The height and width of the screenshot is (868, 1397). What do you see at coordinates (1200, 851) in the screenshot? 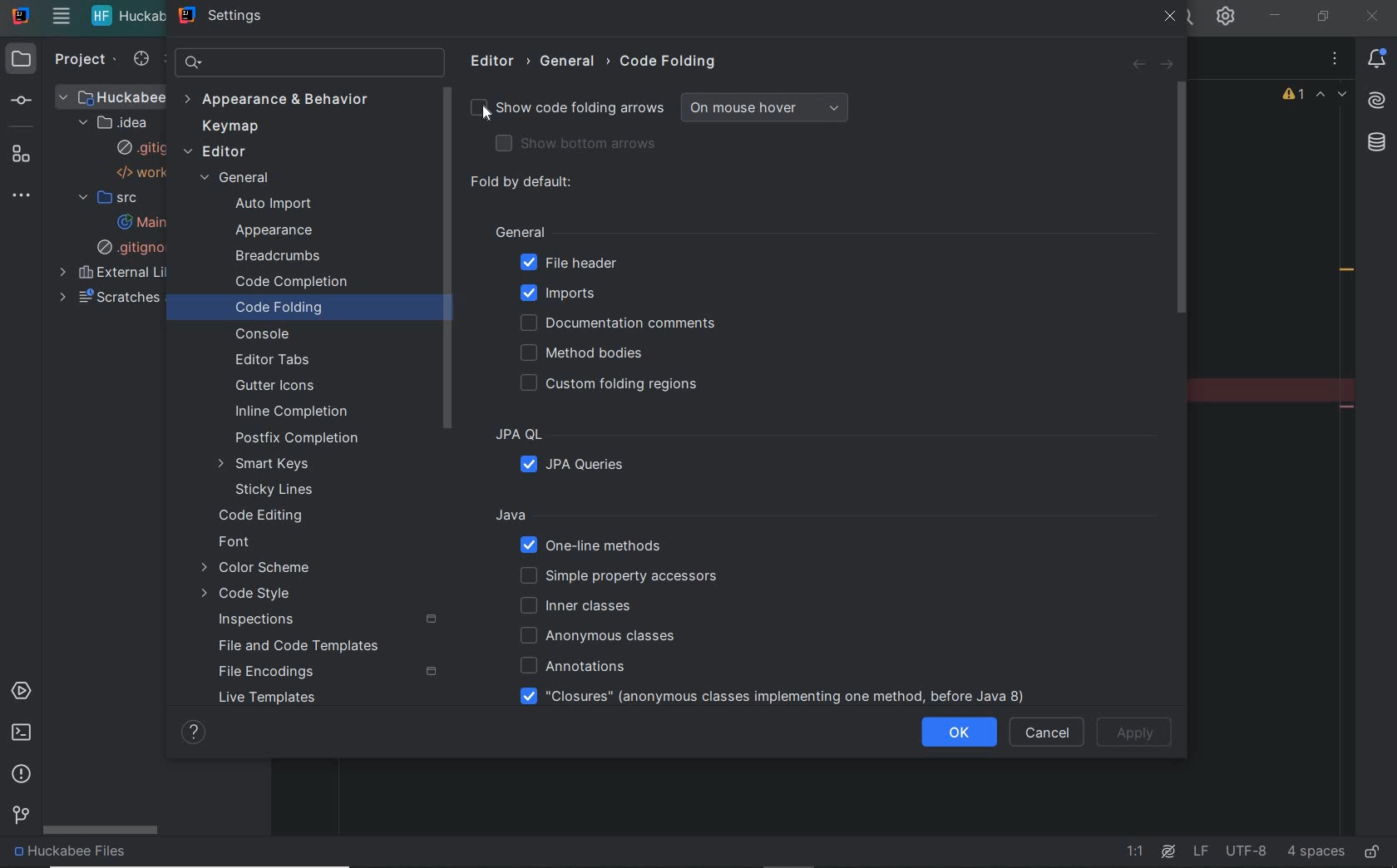
I see `line separator` at bounding box center [1200, 851].